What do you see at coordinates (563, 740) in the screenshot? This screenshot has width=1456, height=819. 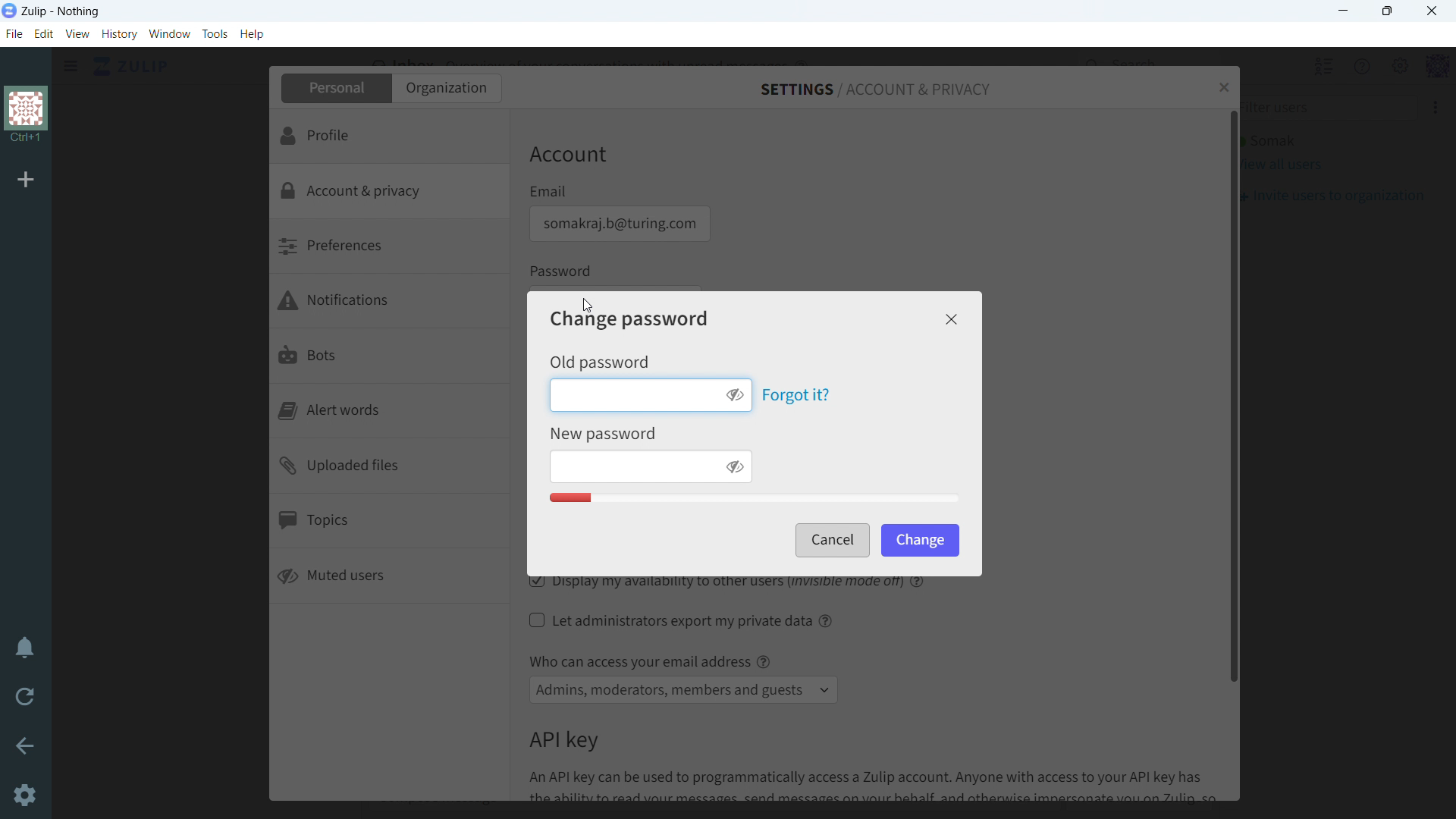 I see `API key` at bounding box center [563, 740].